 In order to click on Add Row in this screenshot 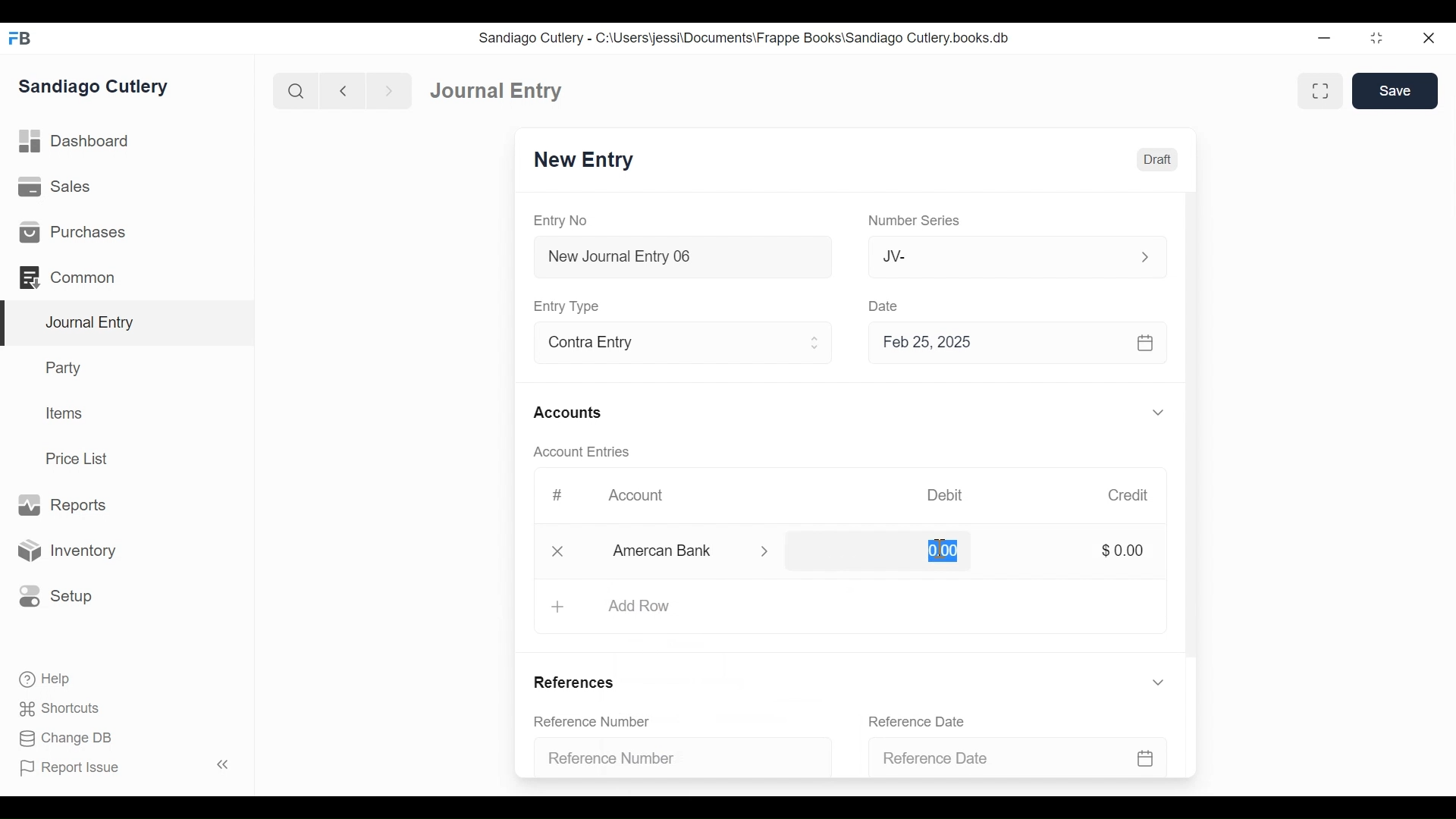, I will do `click(639, 605)`.